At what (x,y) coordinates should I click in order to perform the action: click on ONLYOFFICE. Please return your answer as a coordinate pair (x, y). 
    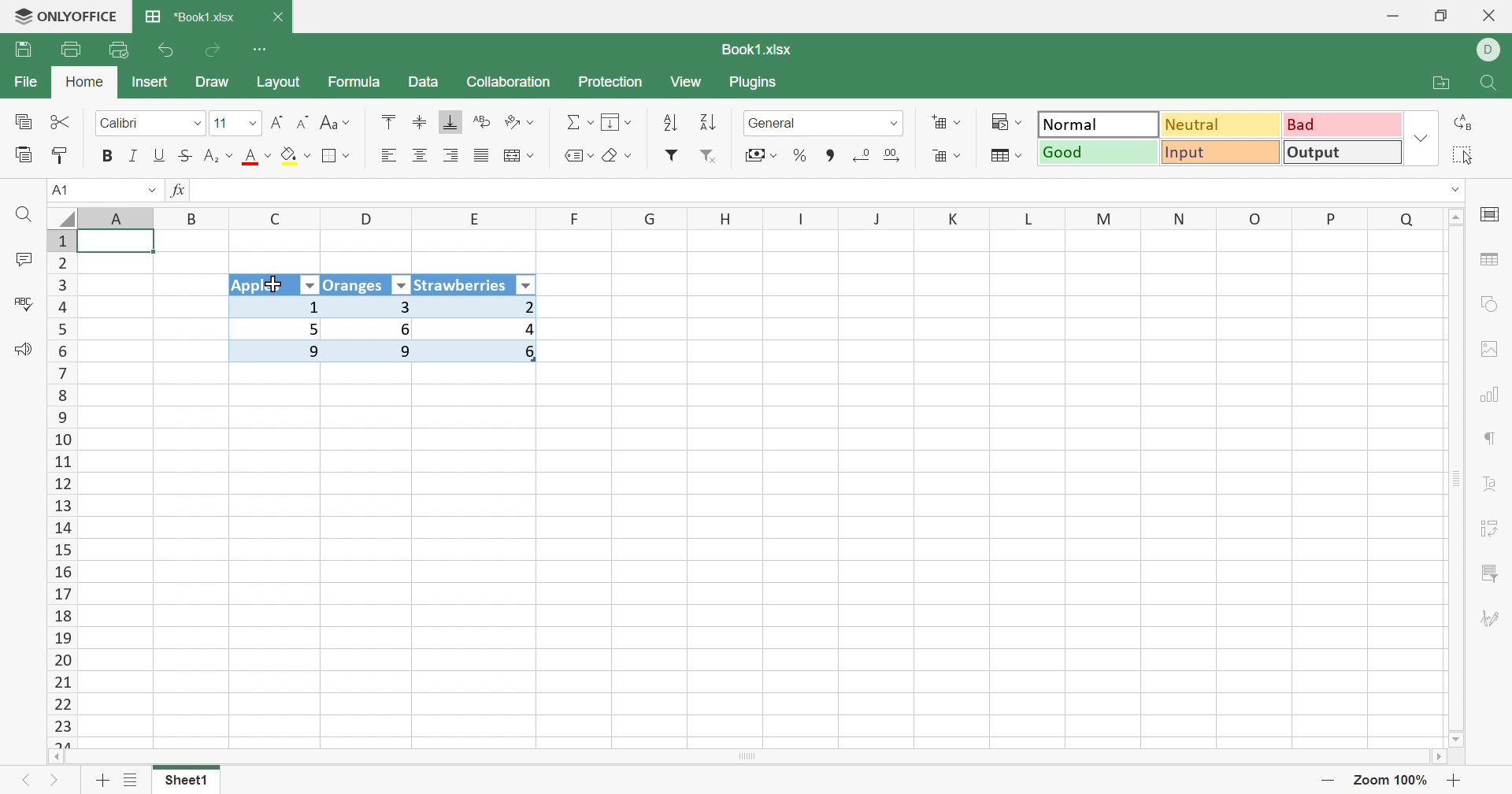
    Looking at the image, I should click on (65, 17).